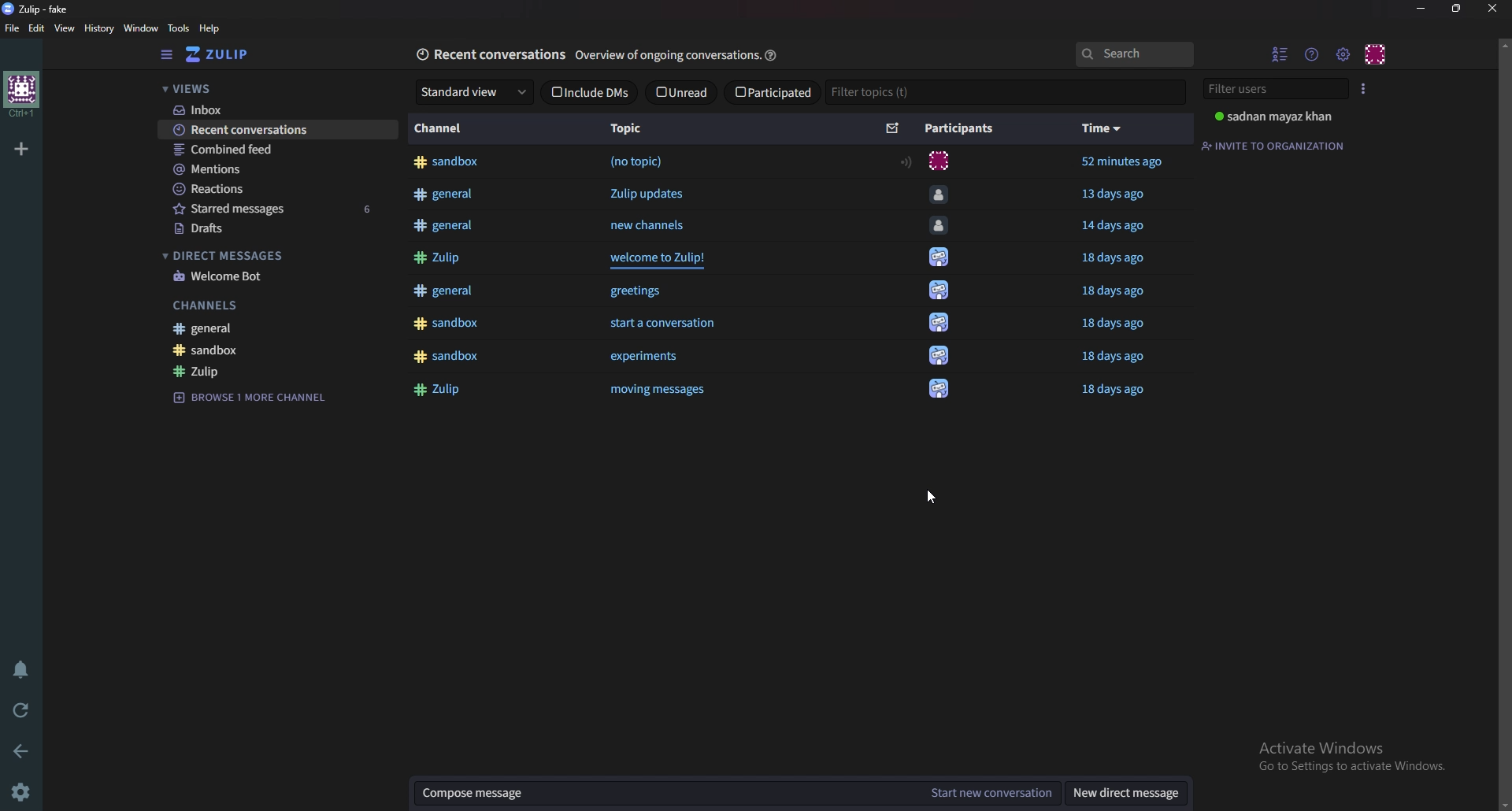  I want to click on file, so click(15, 28).